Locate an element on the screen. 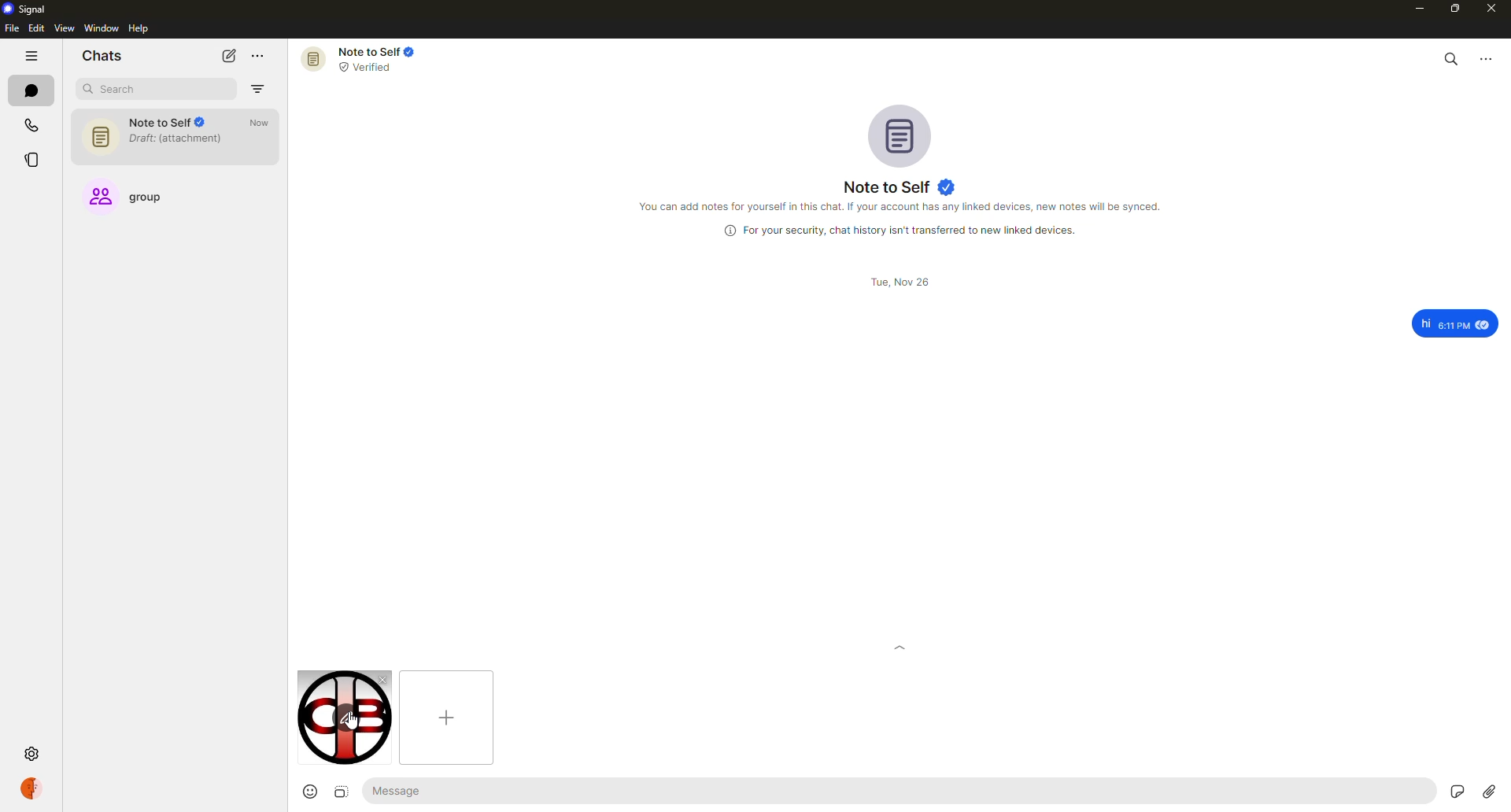 The image size is (1511, 812). view is located at coordinates (64, 29).